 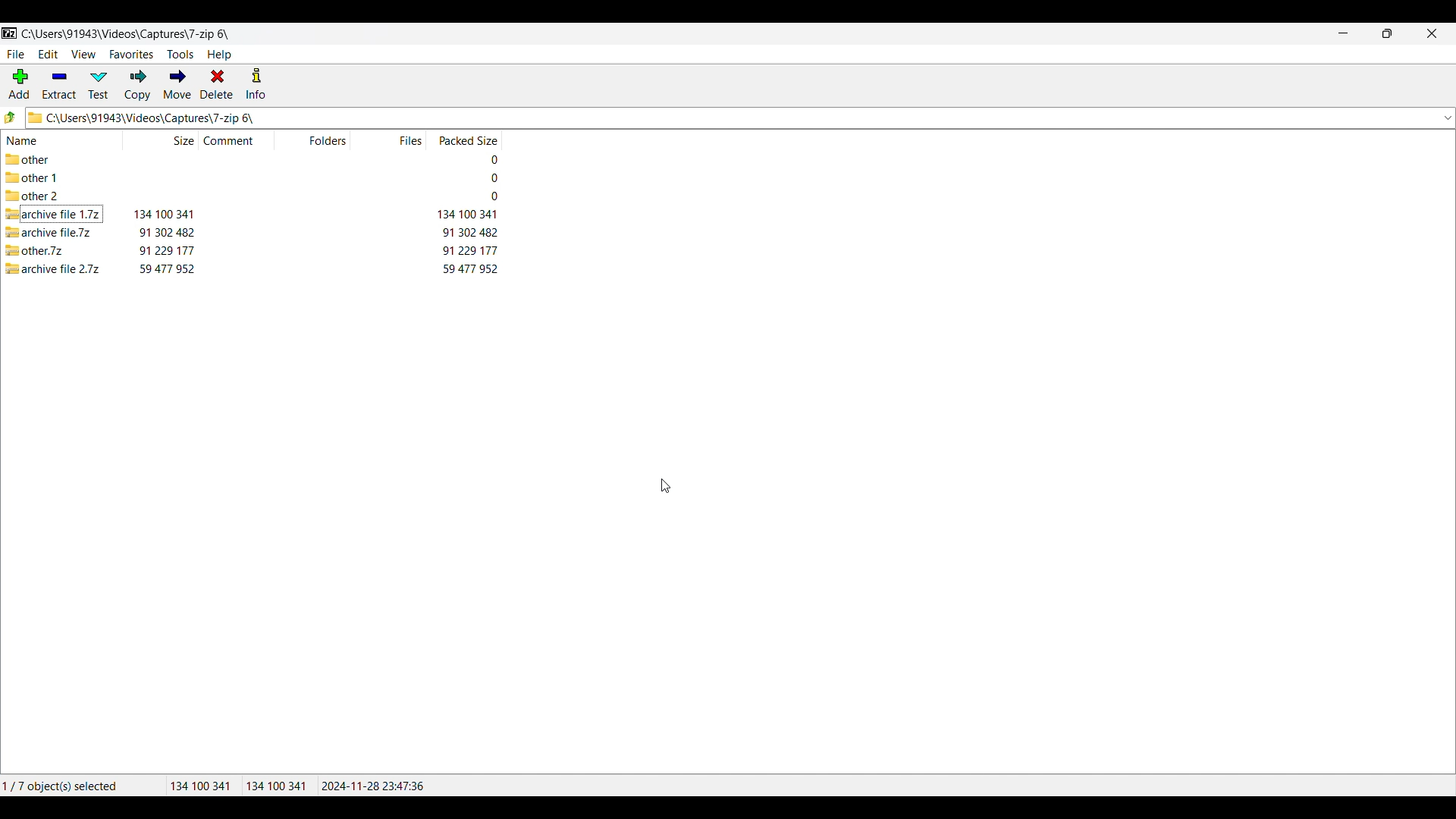 I want to click on Add, so click(x=19, y=83).